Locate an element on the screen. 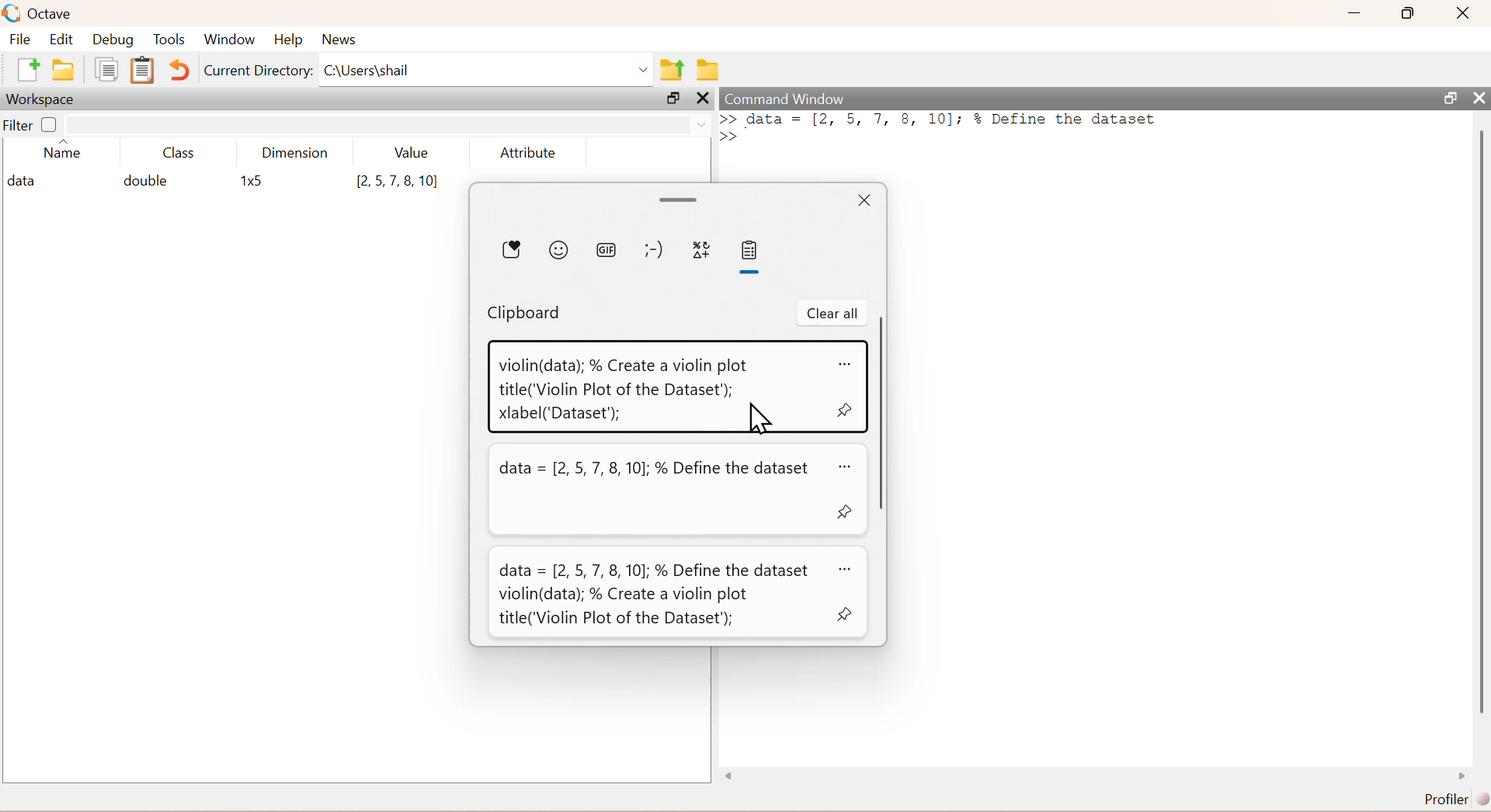 The width and height of the screenshot is (1491, 812). gif is located at coordinates (608, 252).